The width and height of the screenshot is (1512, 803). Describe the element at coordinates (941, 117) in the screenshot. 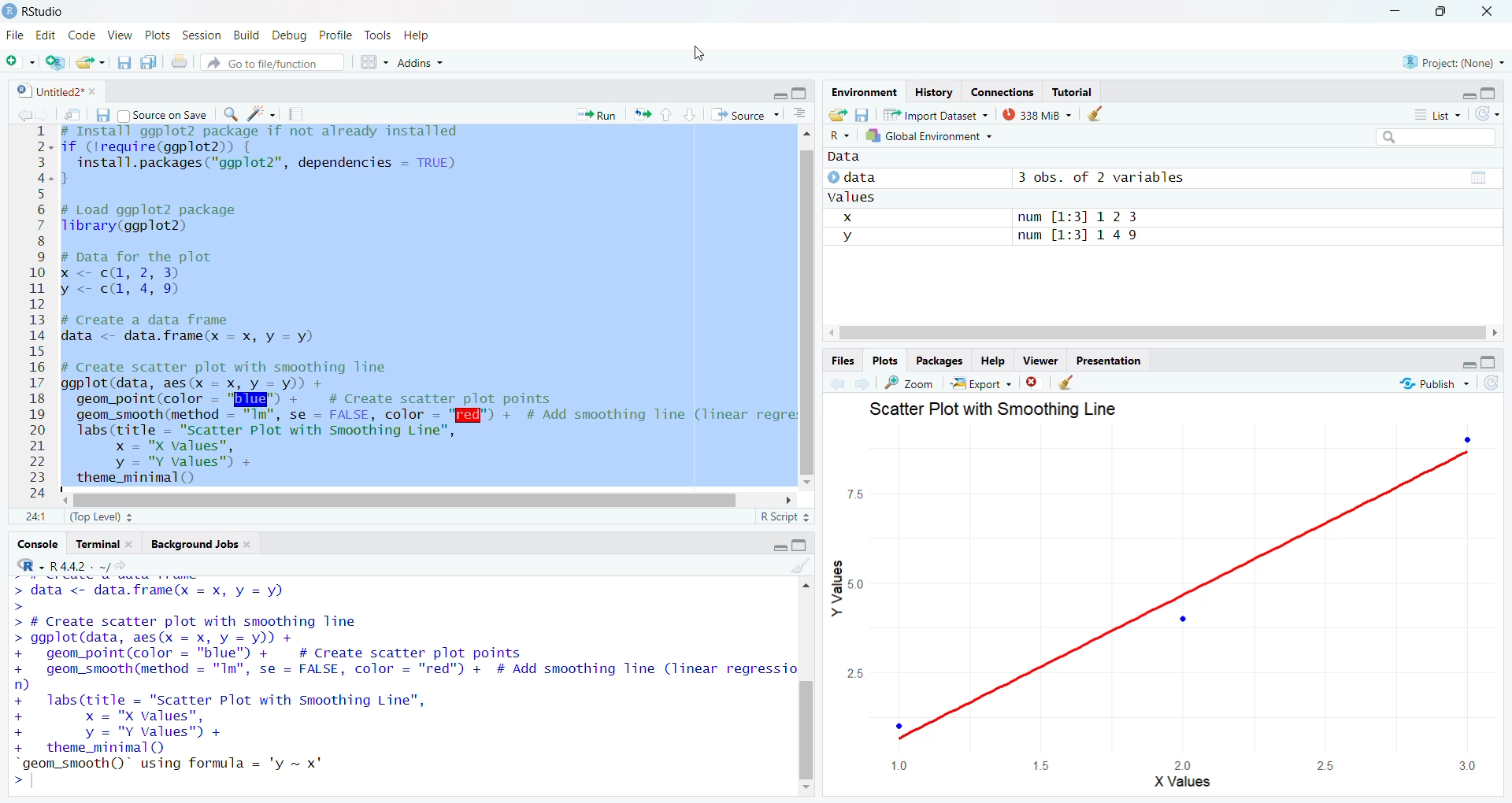

I see ` Import Dataset ~` at that location.